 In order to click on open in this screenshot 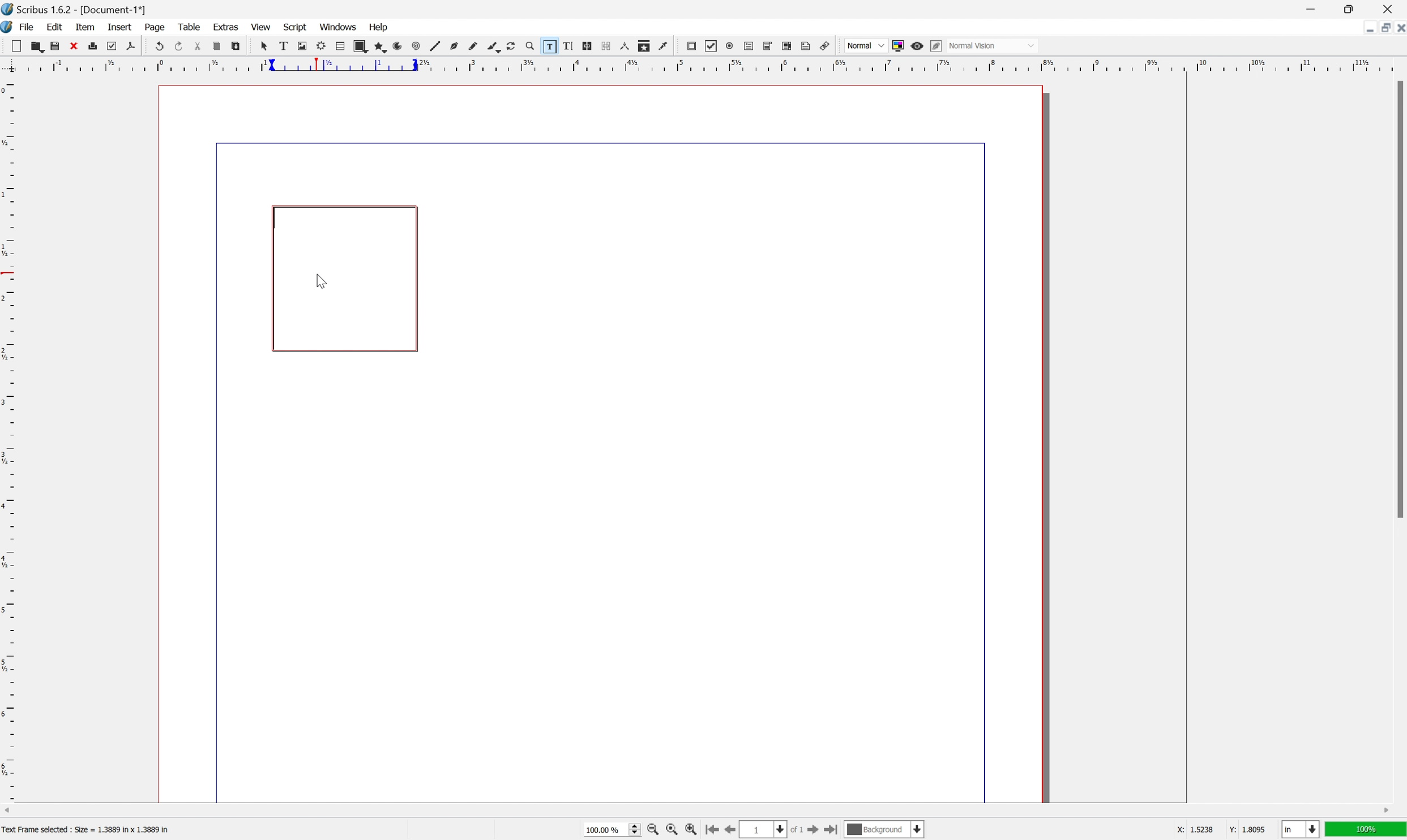, I will do `click(39, 48)`.